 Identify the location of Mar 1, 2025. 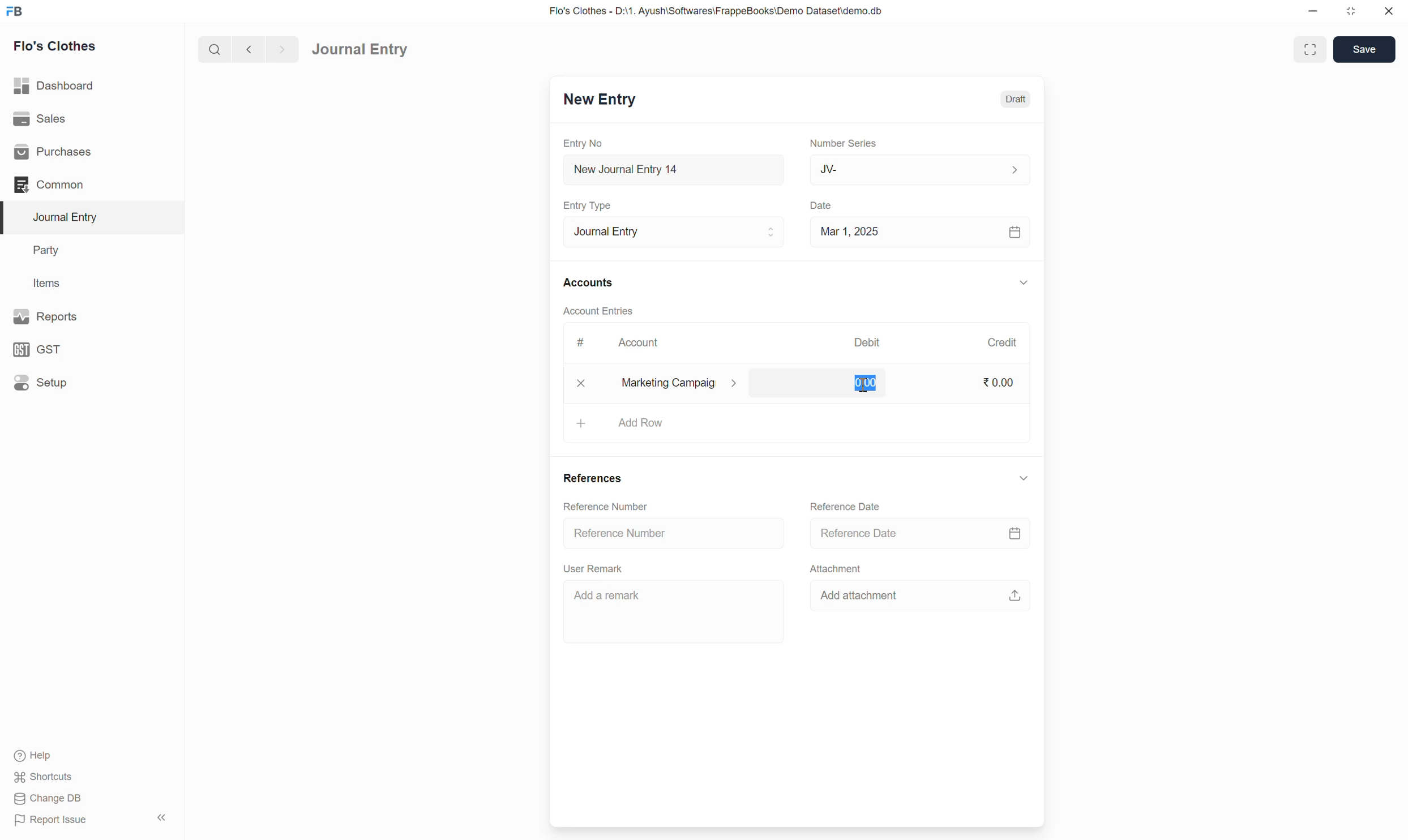
(850, 231).